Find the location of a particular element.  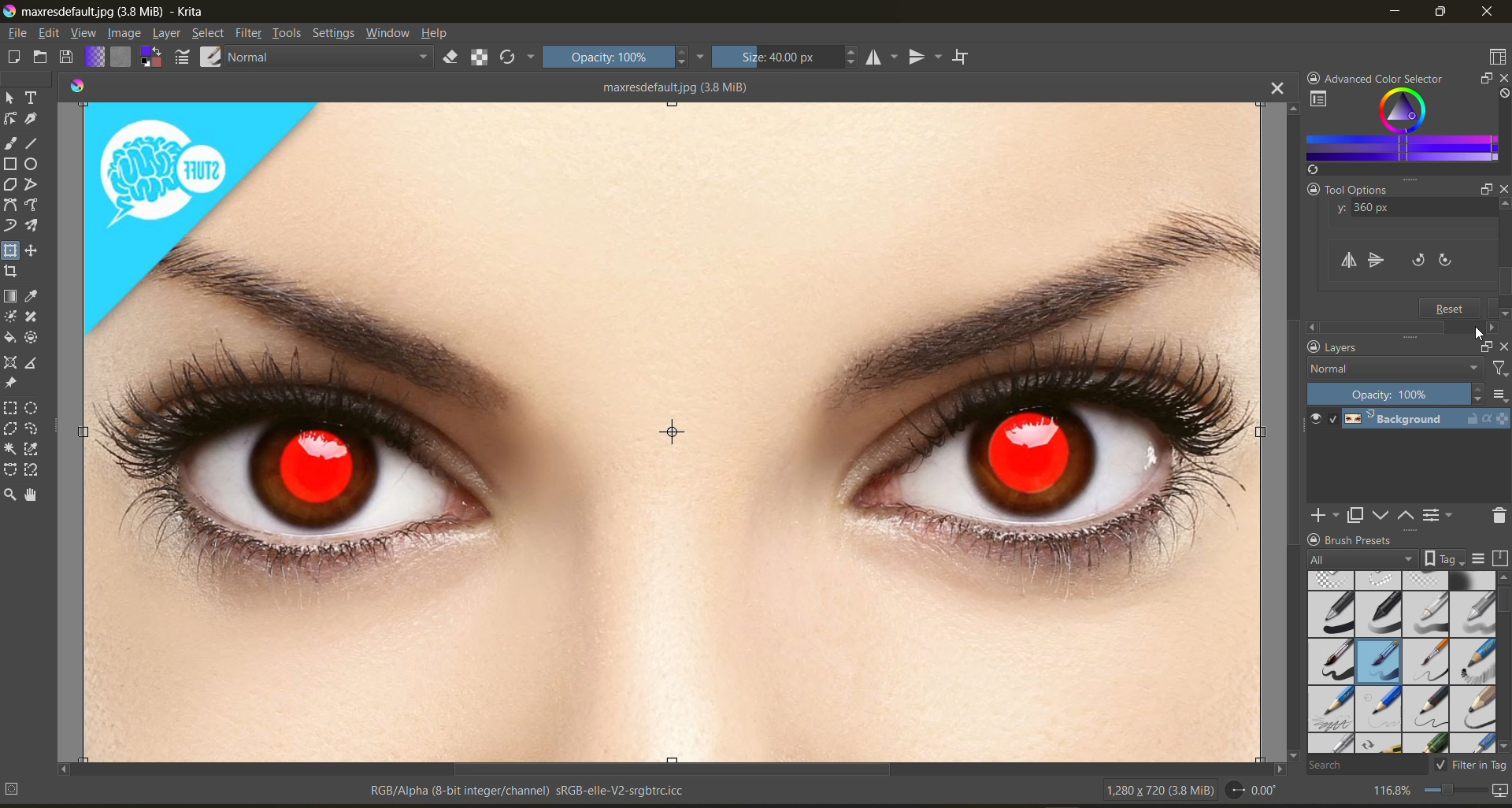

tool is located at coordinates (33, 470).